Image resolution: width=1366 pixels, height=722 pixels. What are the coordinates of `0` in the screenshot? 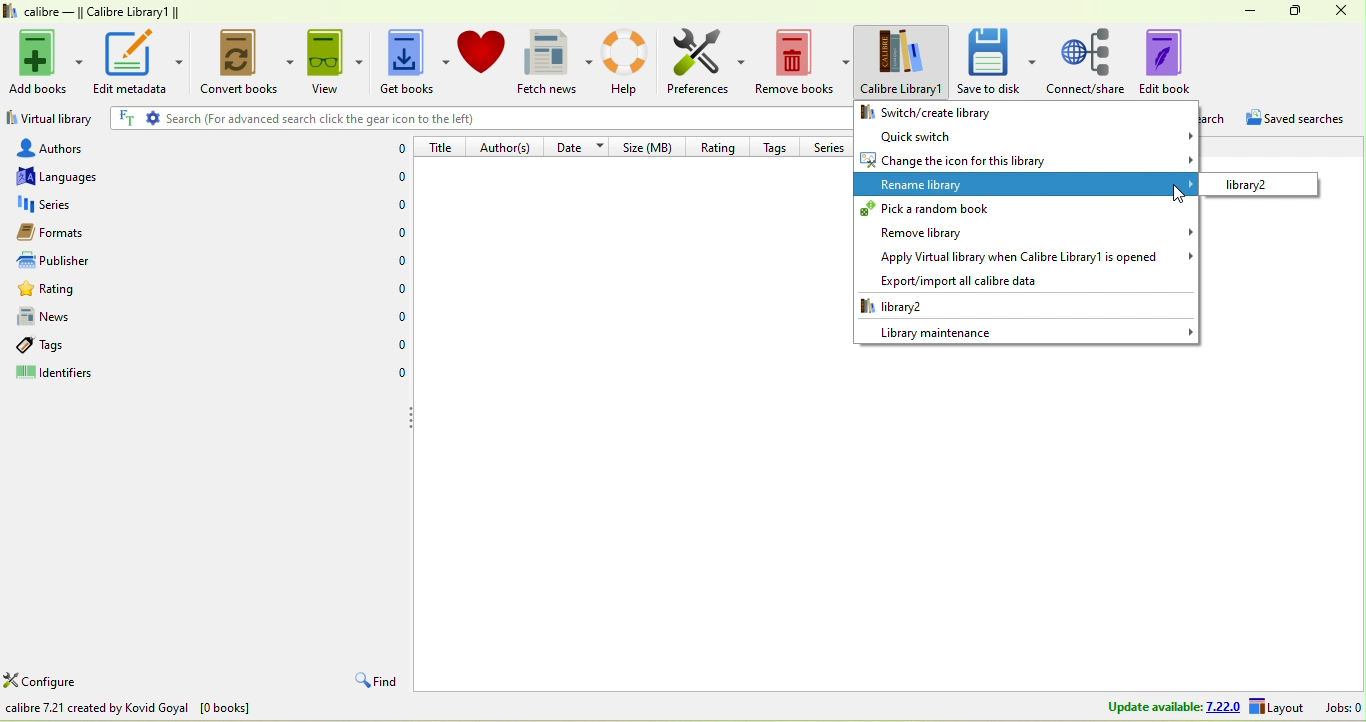 It's located at (390, 179).